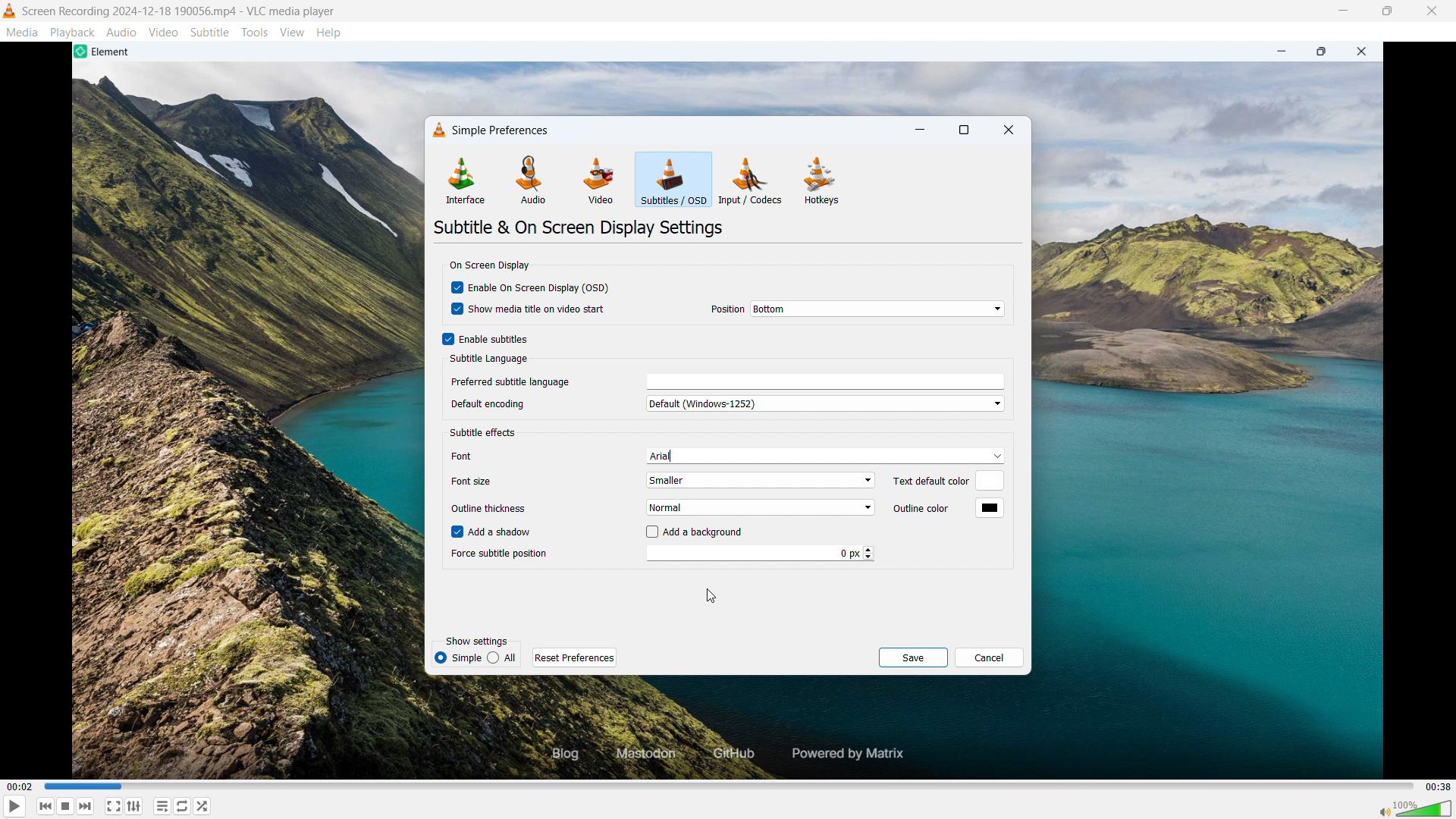 The height and width of the screenshot is (819, 1456). What do you see at coordinates (728, 309) in the screenshot?
I see `Position` at bounding box center [728, 309].